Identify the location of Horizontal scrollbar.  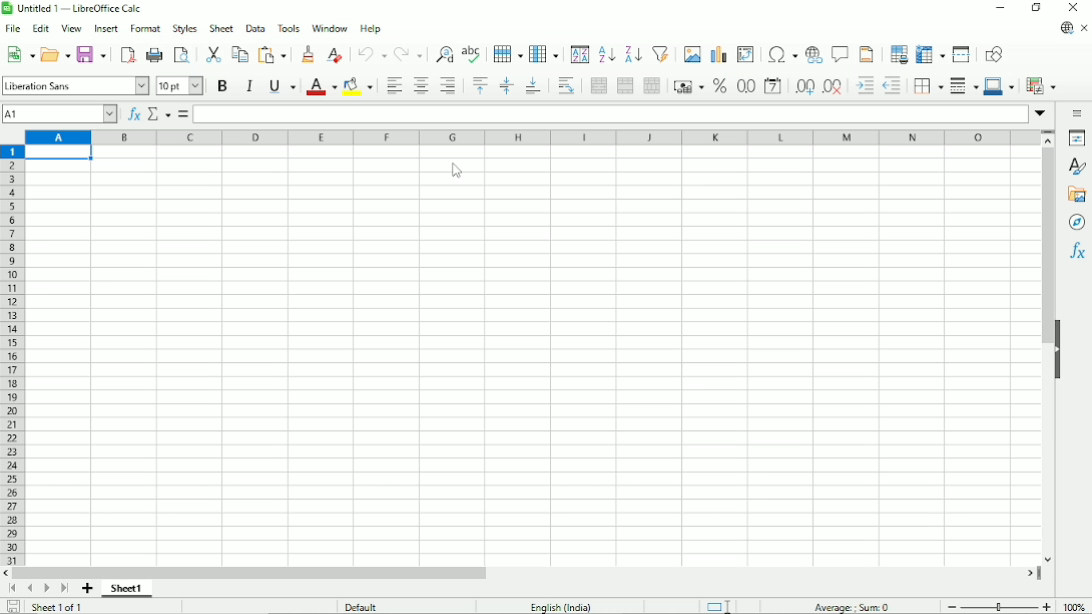
(251, 573).